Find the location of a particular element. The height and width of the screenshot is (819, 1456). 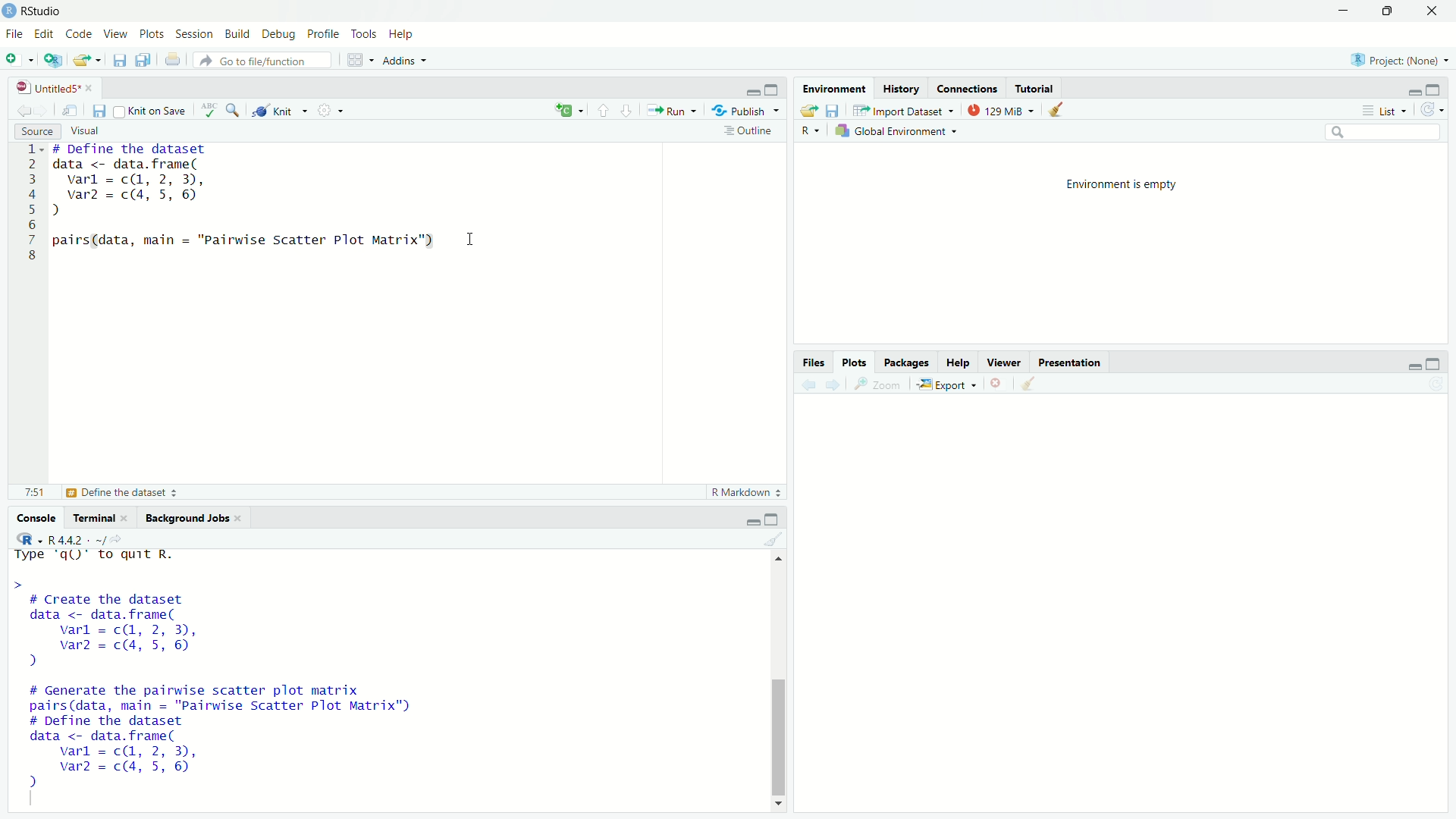

Background Jobs is located at coordinates (190, 518).